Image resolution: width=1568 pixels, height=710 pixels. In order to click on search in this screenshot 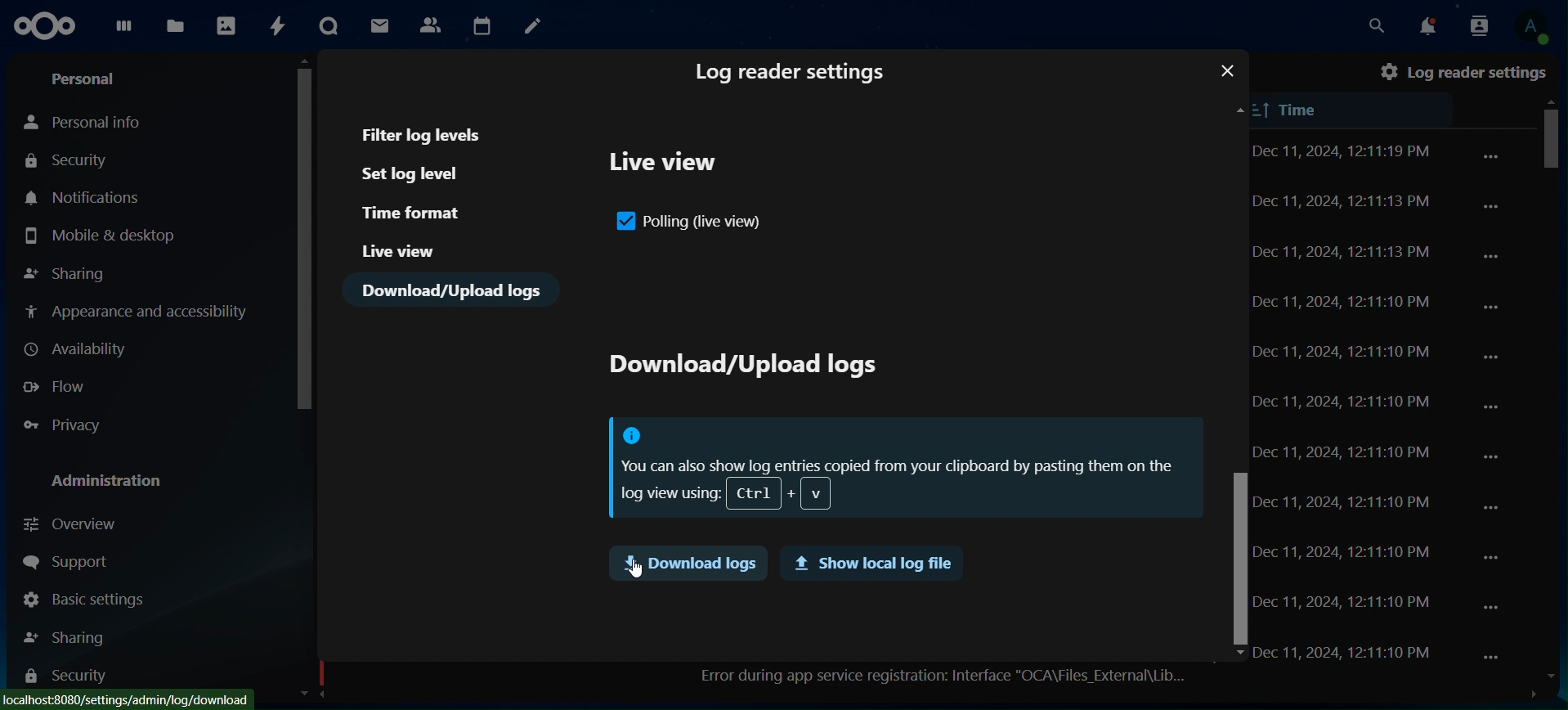, I will do `click(1374, 26)`.